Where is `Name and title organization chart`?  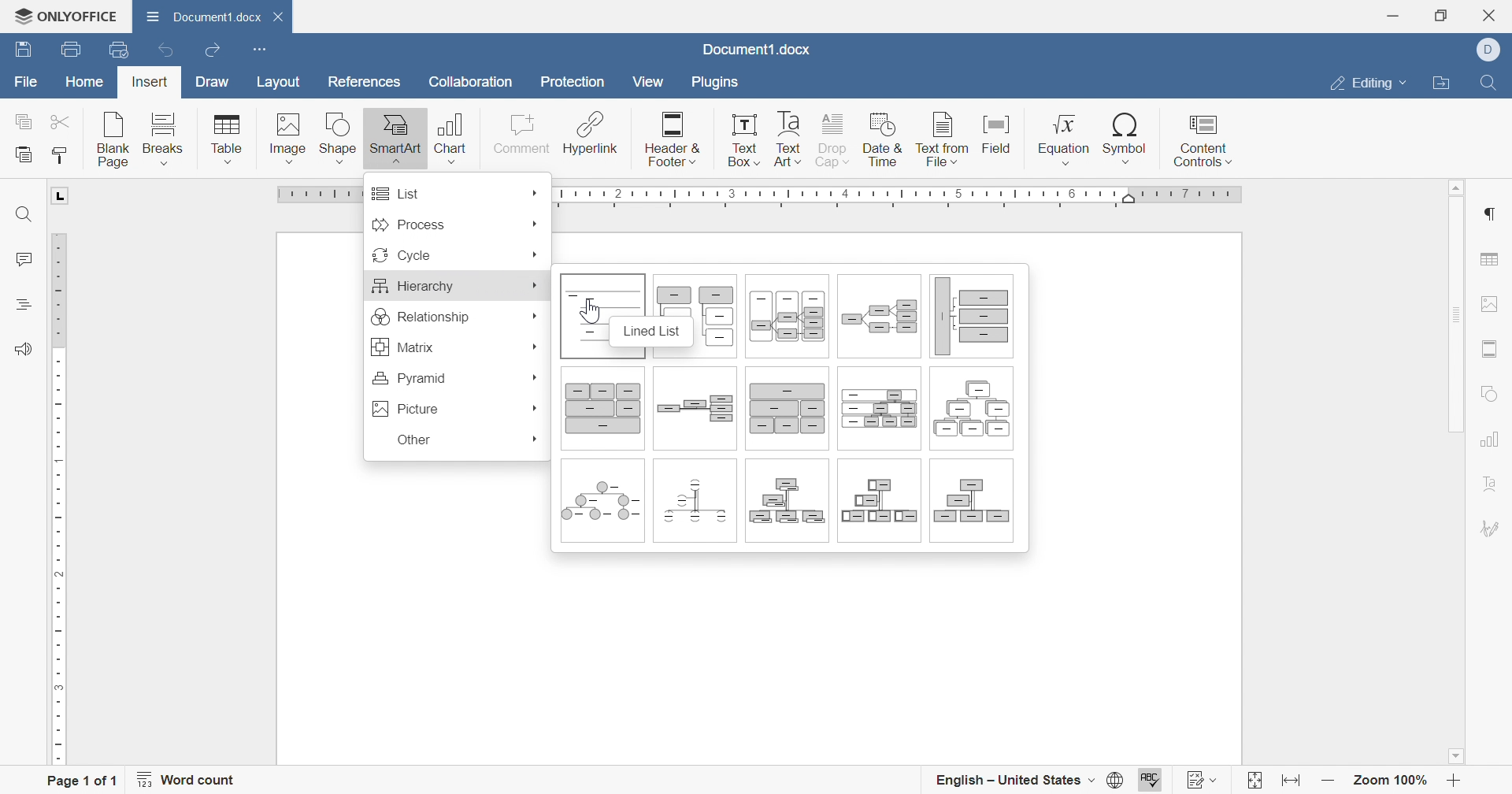
Name and title organization chart is located at coordinates (790, 506).